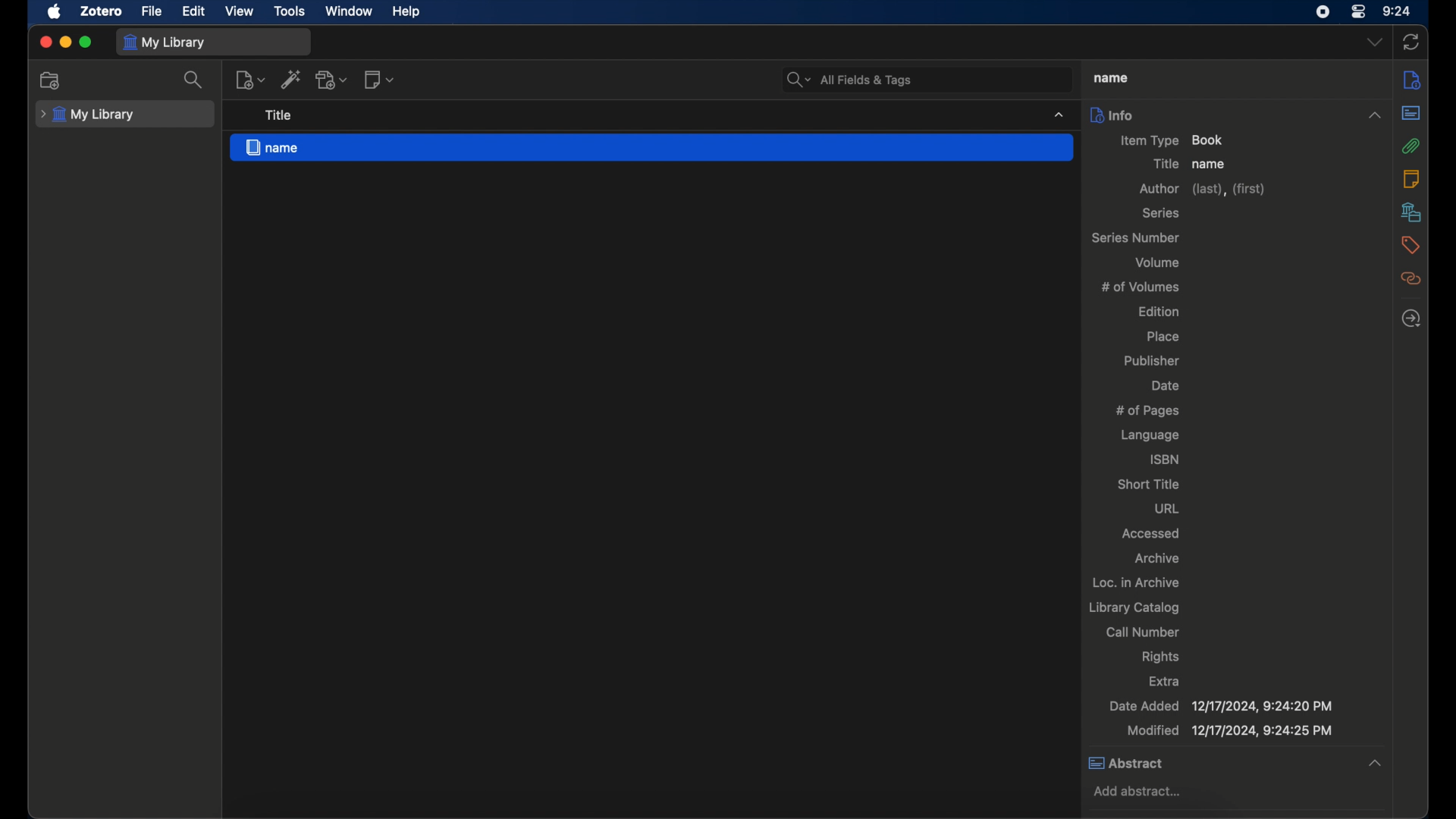 The height and width of the screenshot is (819, 1456). I want to click on help, so click(406, 12).